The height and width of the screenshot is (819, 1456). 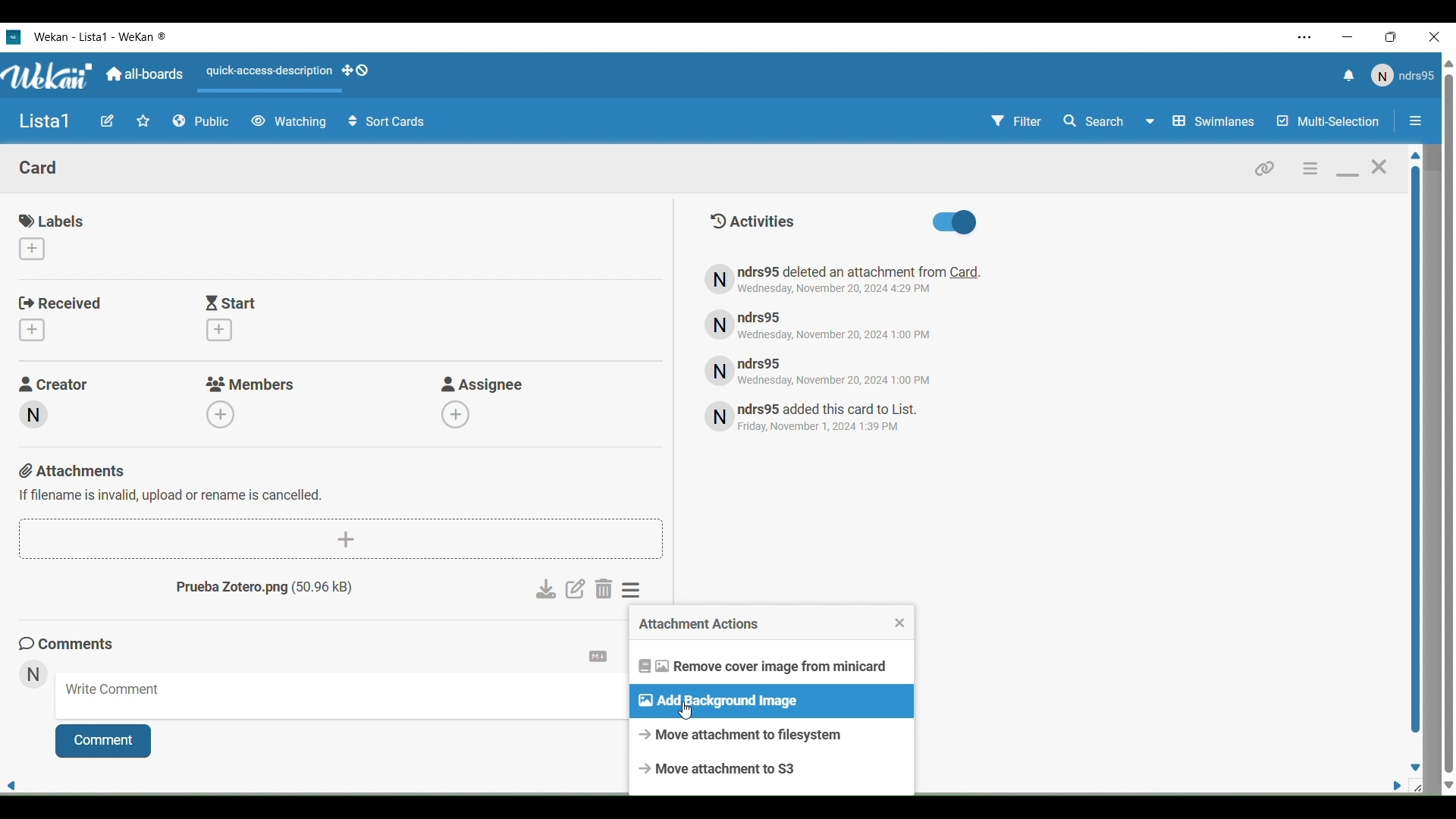 I want to click on Minimize, so click(x=1349, y=37).